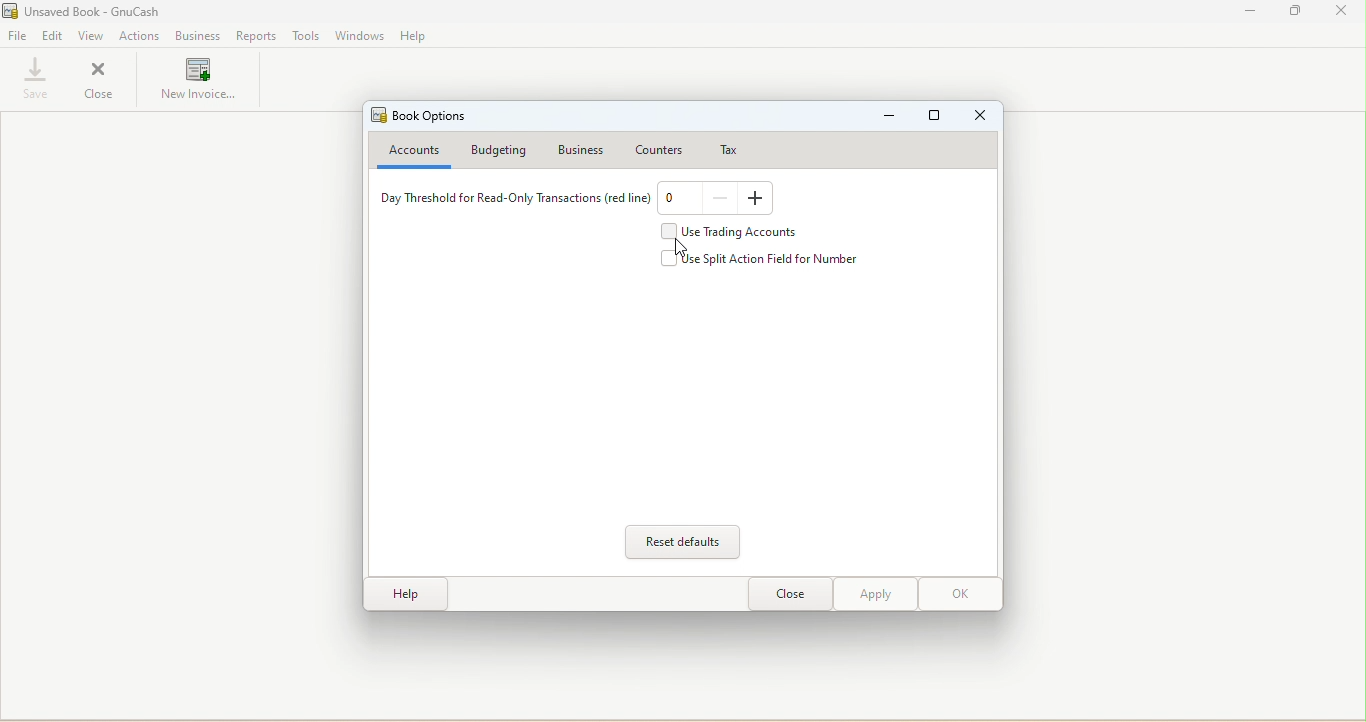 The height and width of the screenshot is (722, 1366). I want to click on Actions, so click(141, 36).